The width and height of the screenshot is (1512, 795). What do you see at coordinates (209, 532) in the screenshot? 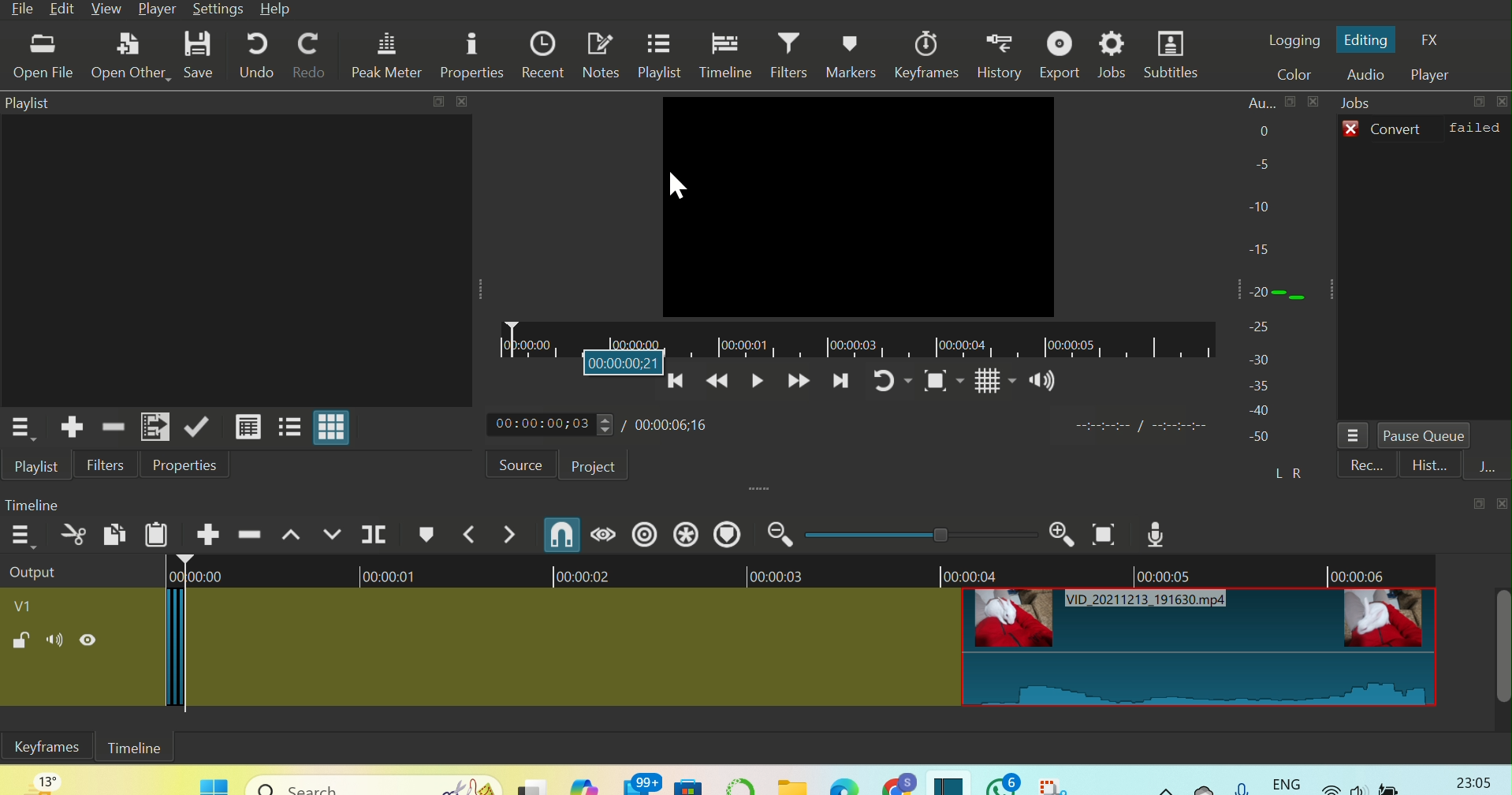
I see `Add` at bounding box center [209, 532].